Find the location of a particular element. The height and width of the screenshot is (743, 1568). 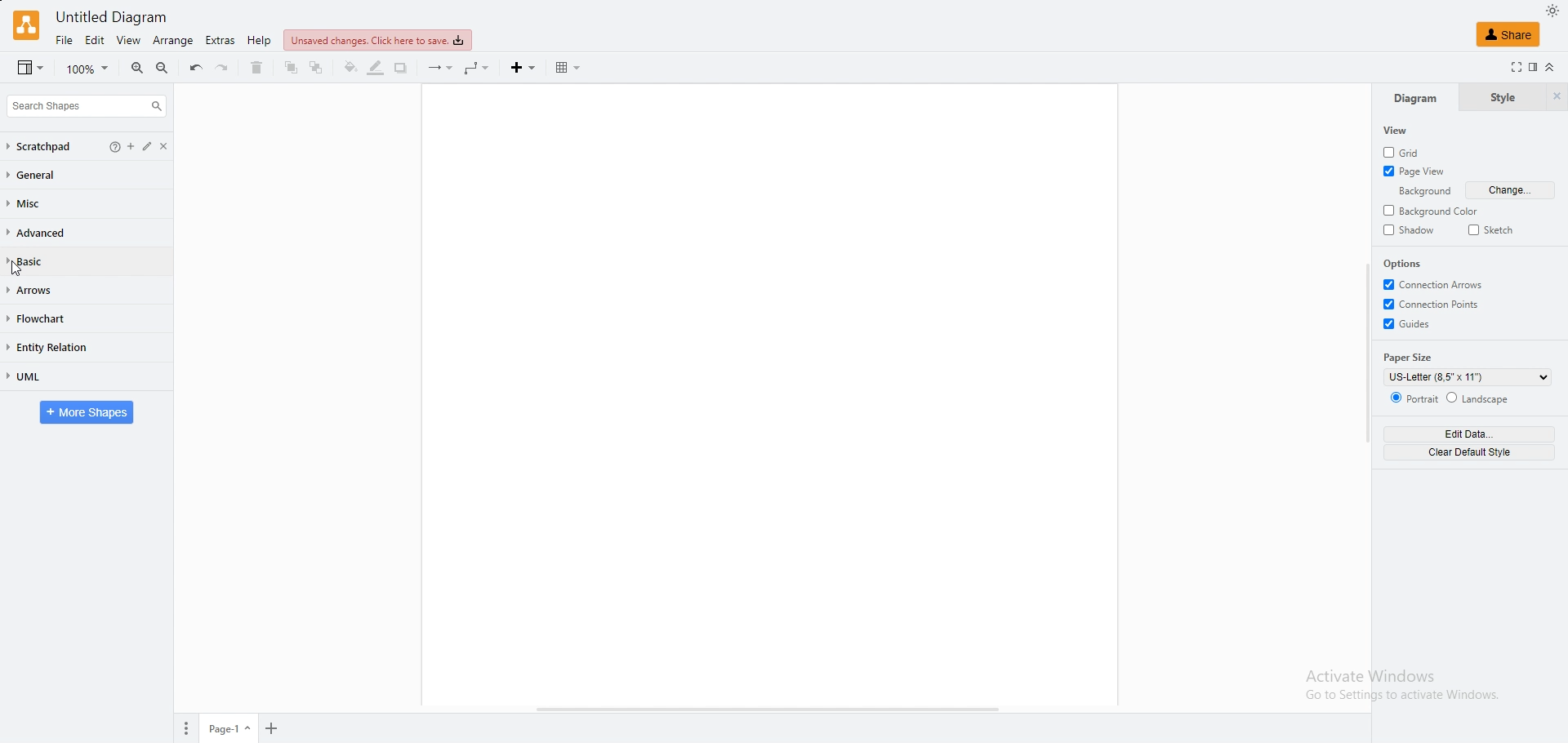

shadow is located at coordinates (1410, 231).